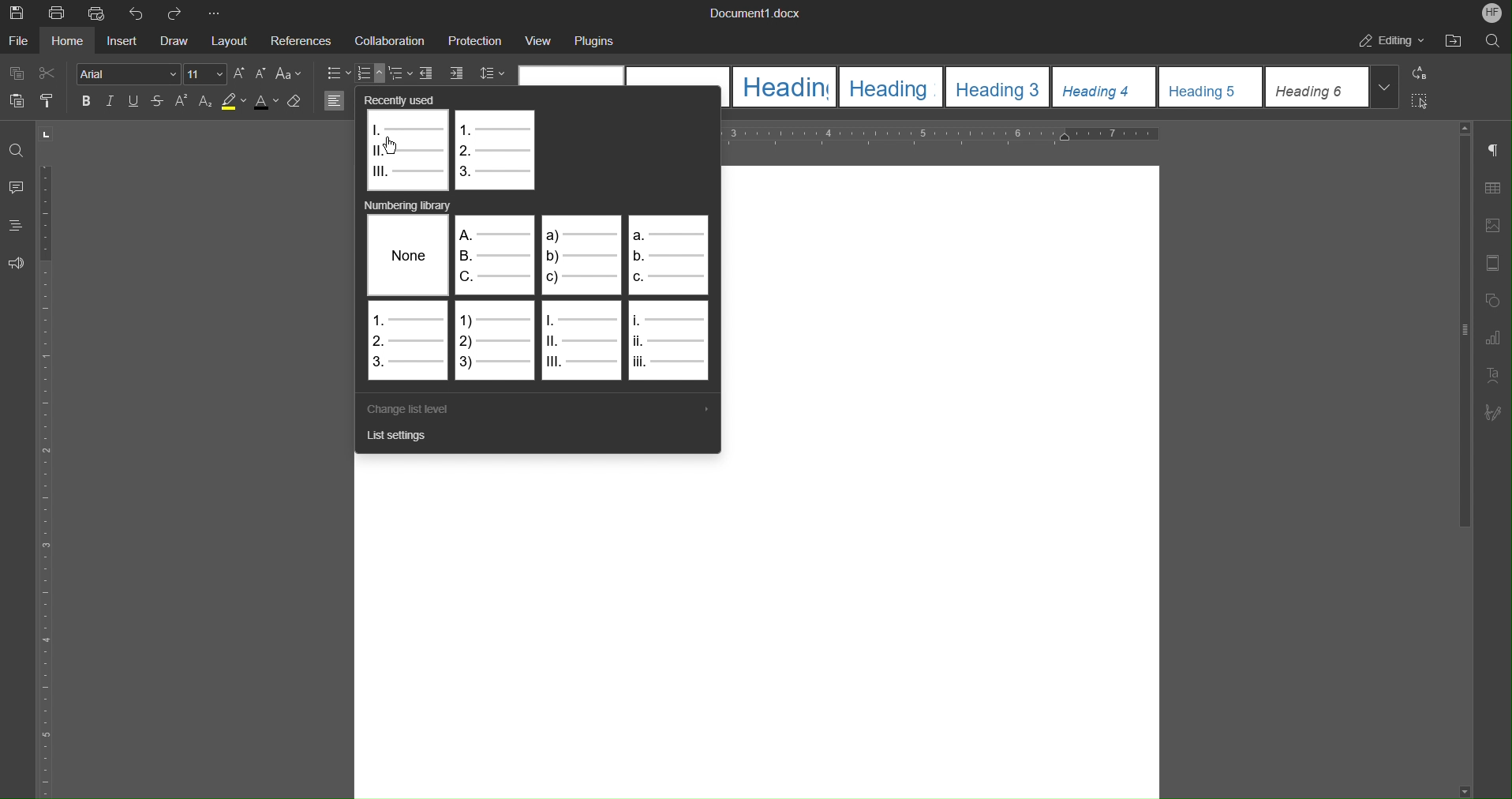 Image resolution: width=1512 pixels, height=799 pixels. I want to click on Open File Location, so click(1451, 42).